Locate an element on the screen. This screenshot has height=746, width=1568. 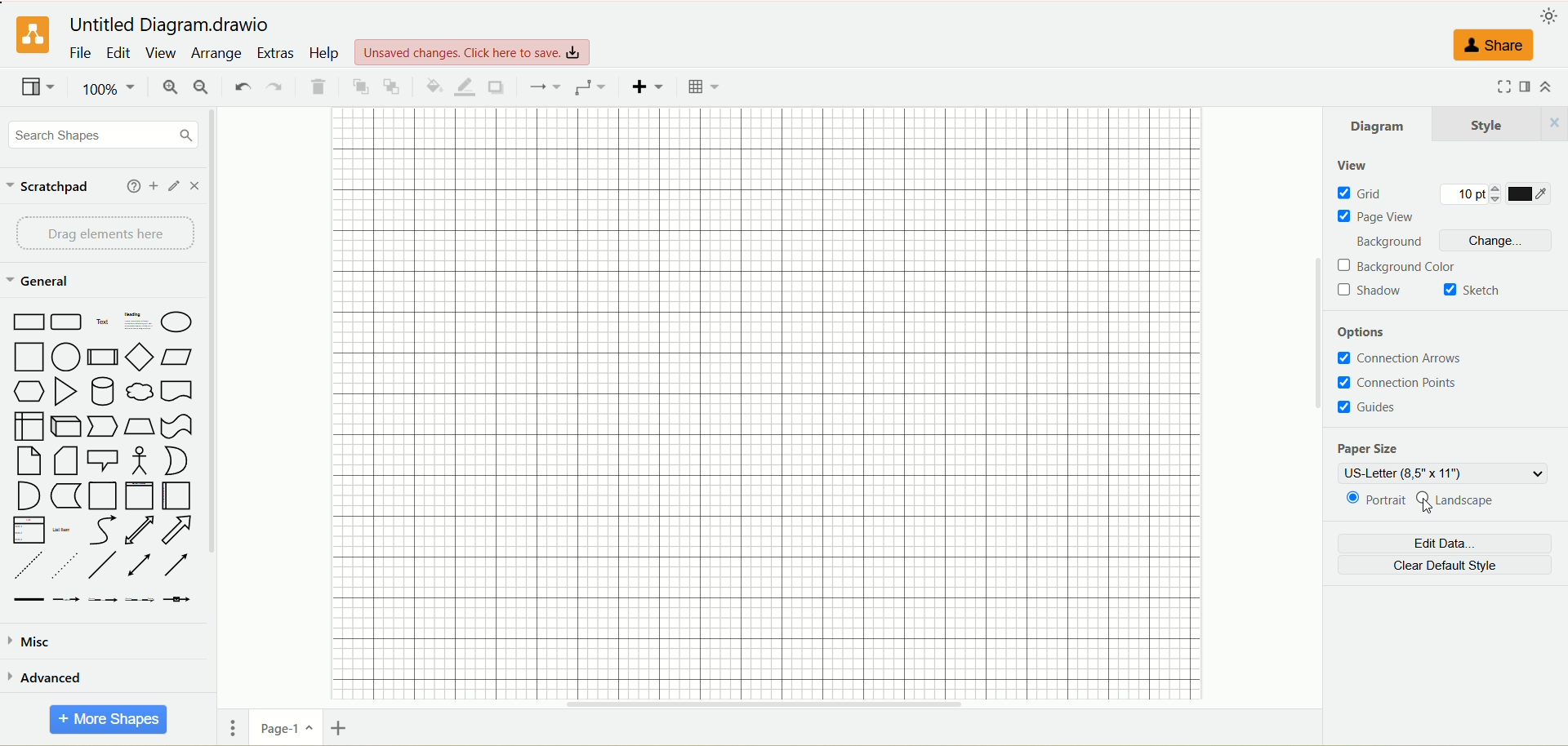
add is located at coordinates (154, 186).